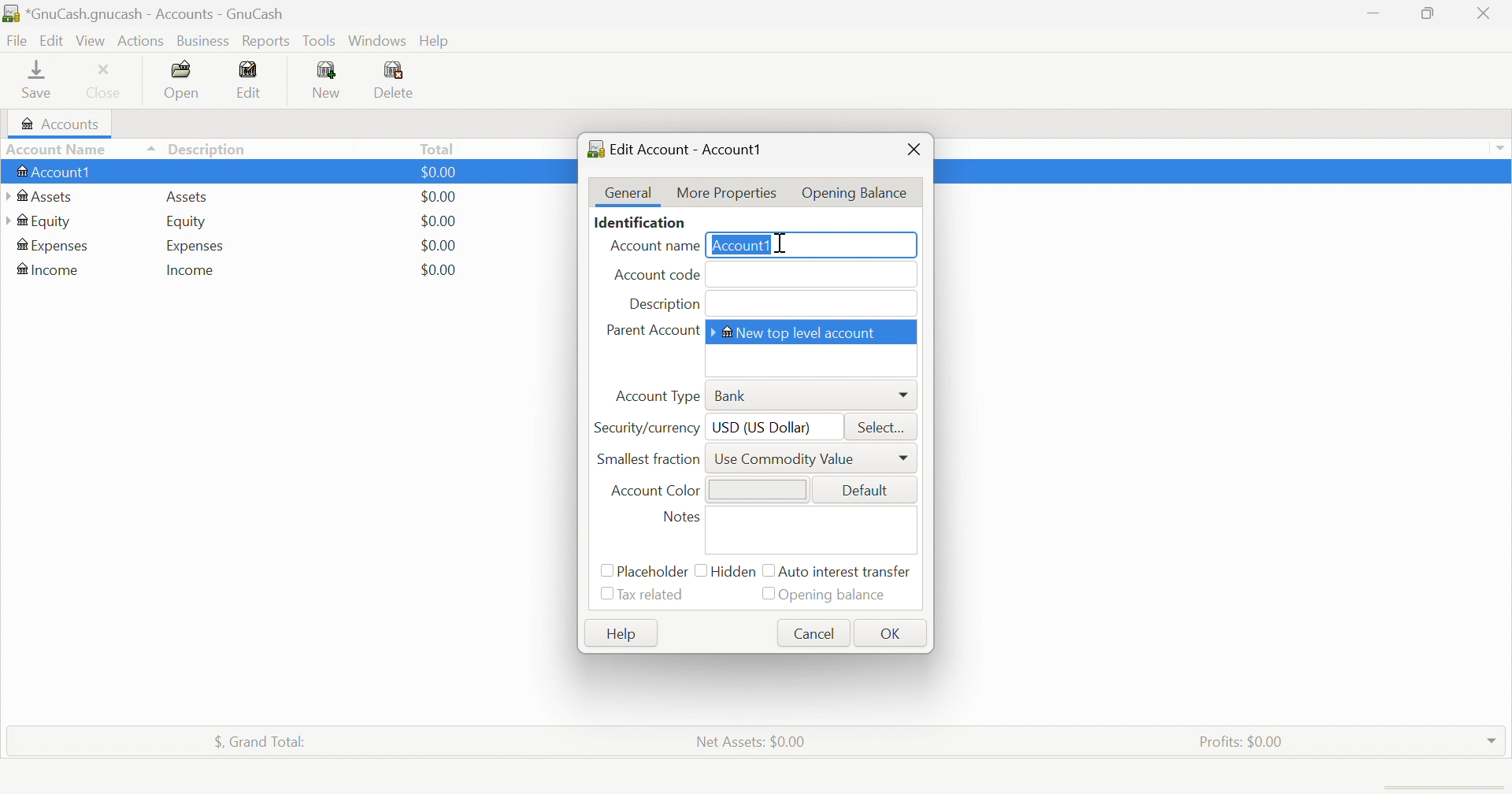  Describe the element at coordinates (46, 222) in the screenshot. I see `Equity` at that location.